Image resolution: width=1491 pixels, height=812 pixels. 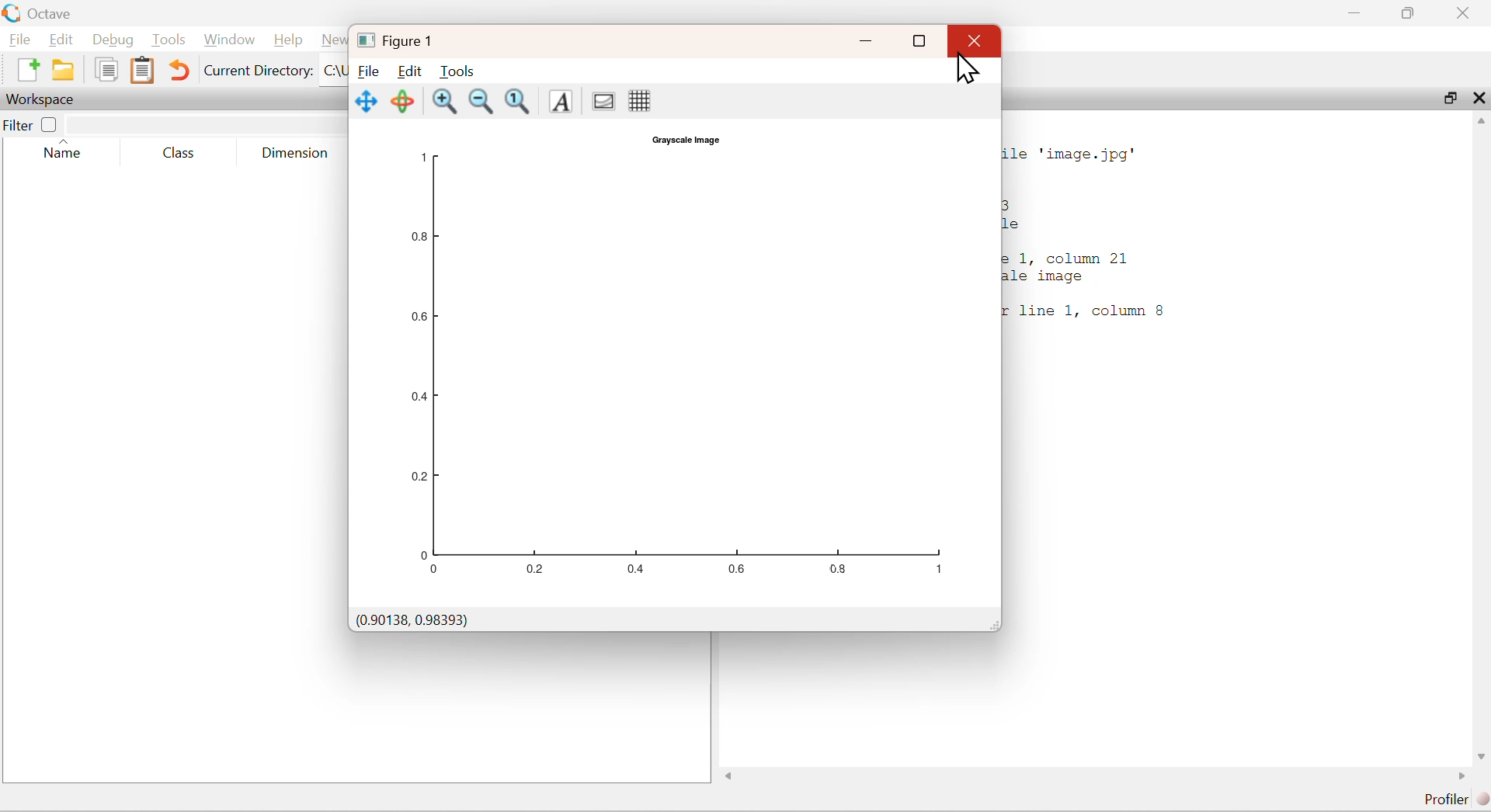 I want to click on Otave, so click(x=54, y=14).